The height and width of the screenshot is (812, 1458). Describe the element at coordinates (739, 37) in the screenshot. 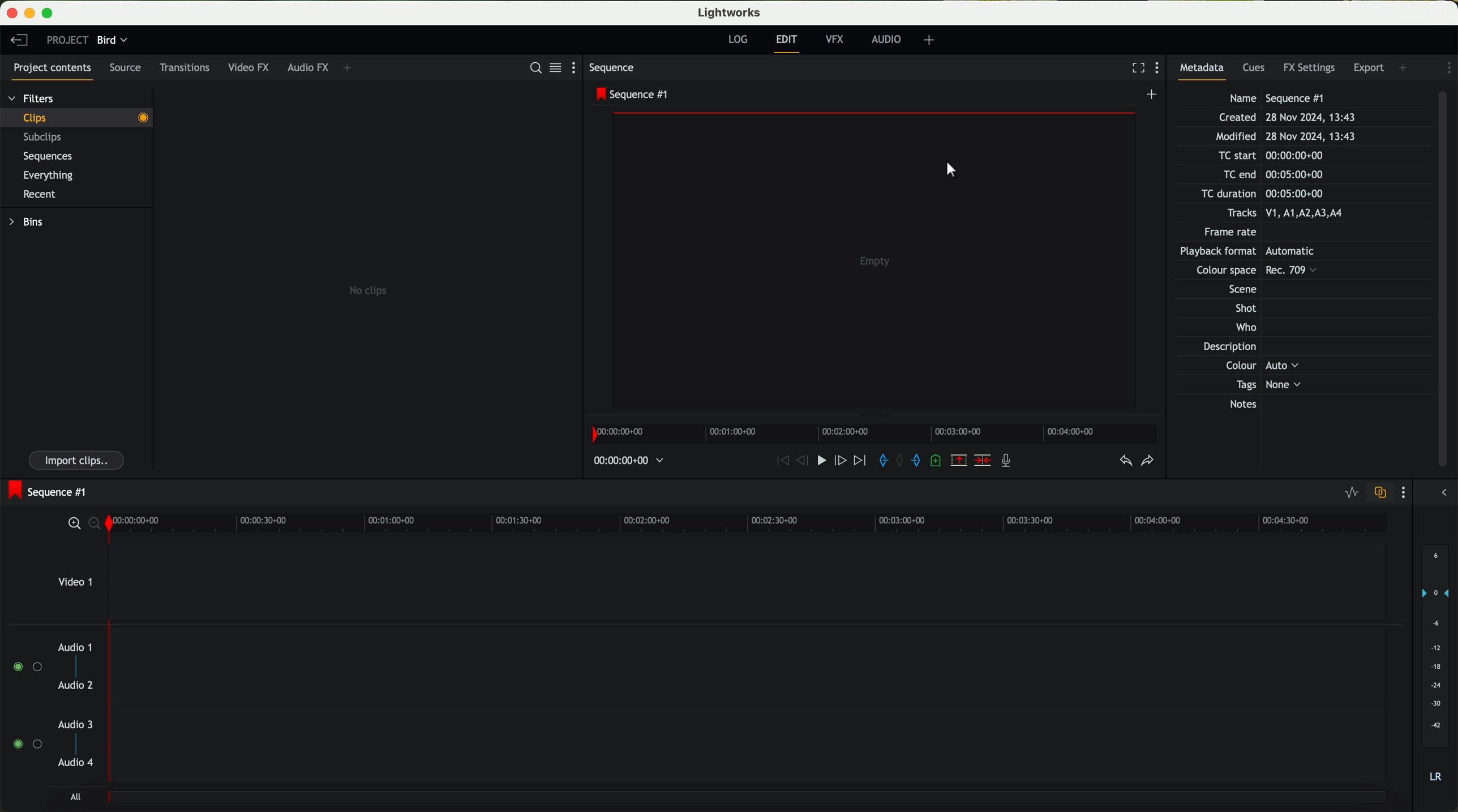

I see `log` at that location.